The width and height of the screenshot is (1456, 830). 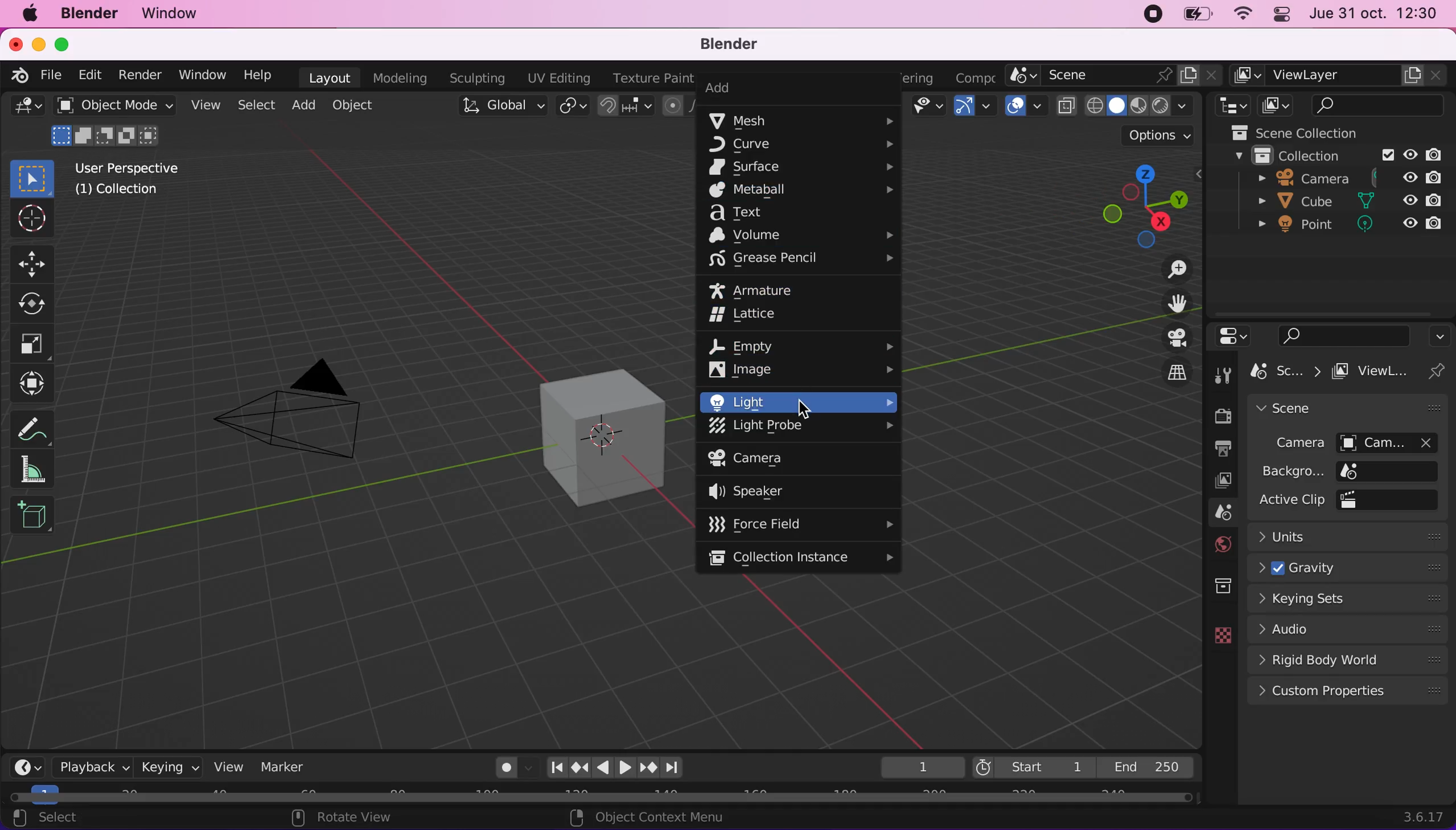 I want to click on rotate, so click(x=34, y=303).